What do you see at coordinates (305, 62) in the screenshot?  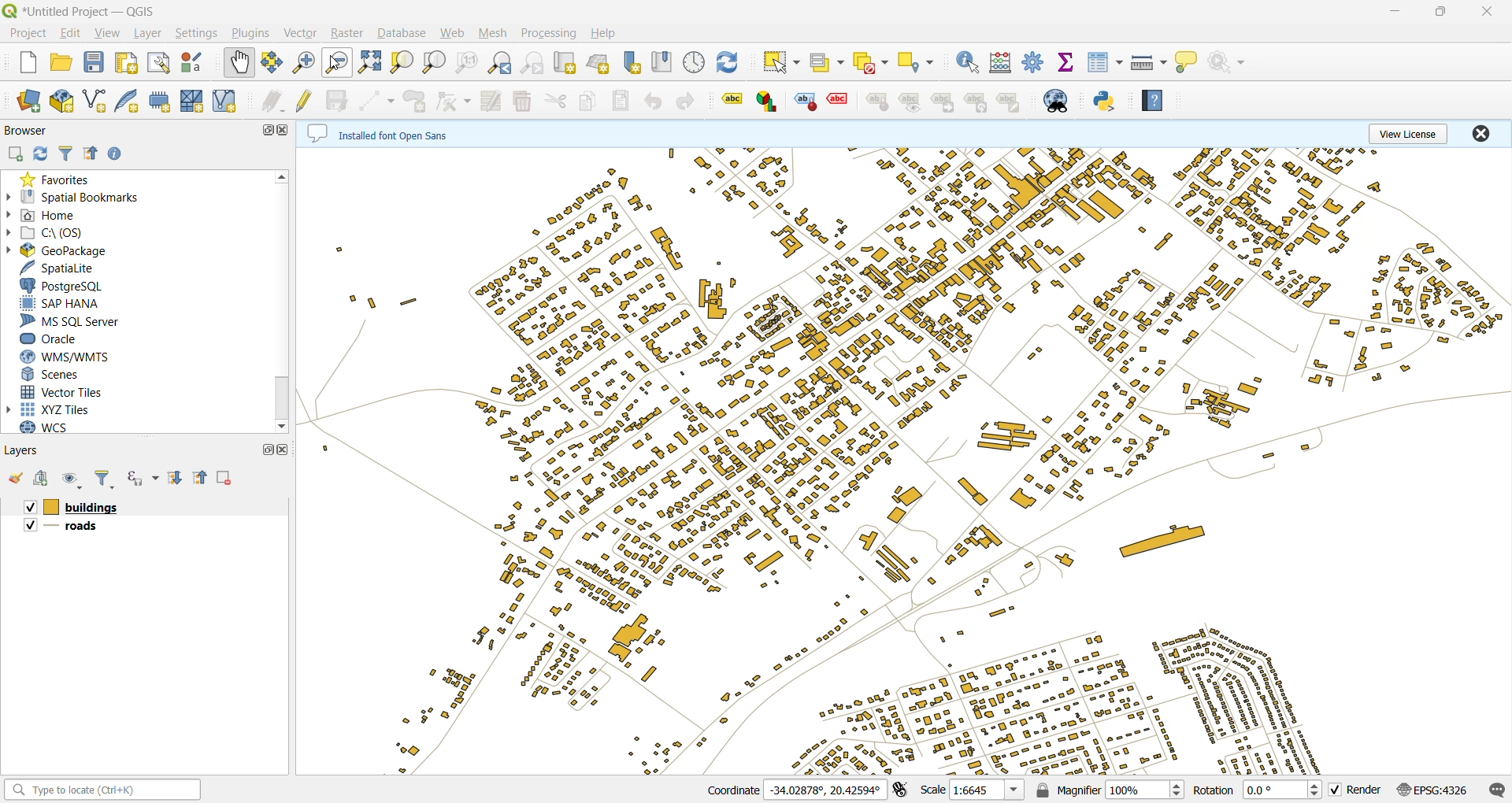 I see `zoom in` at bounding box center [305, 62].